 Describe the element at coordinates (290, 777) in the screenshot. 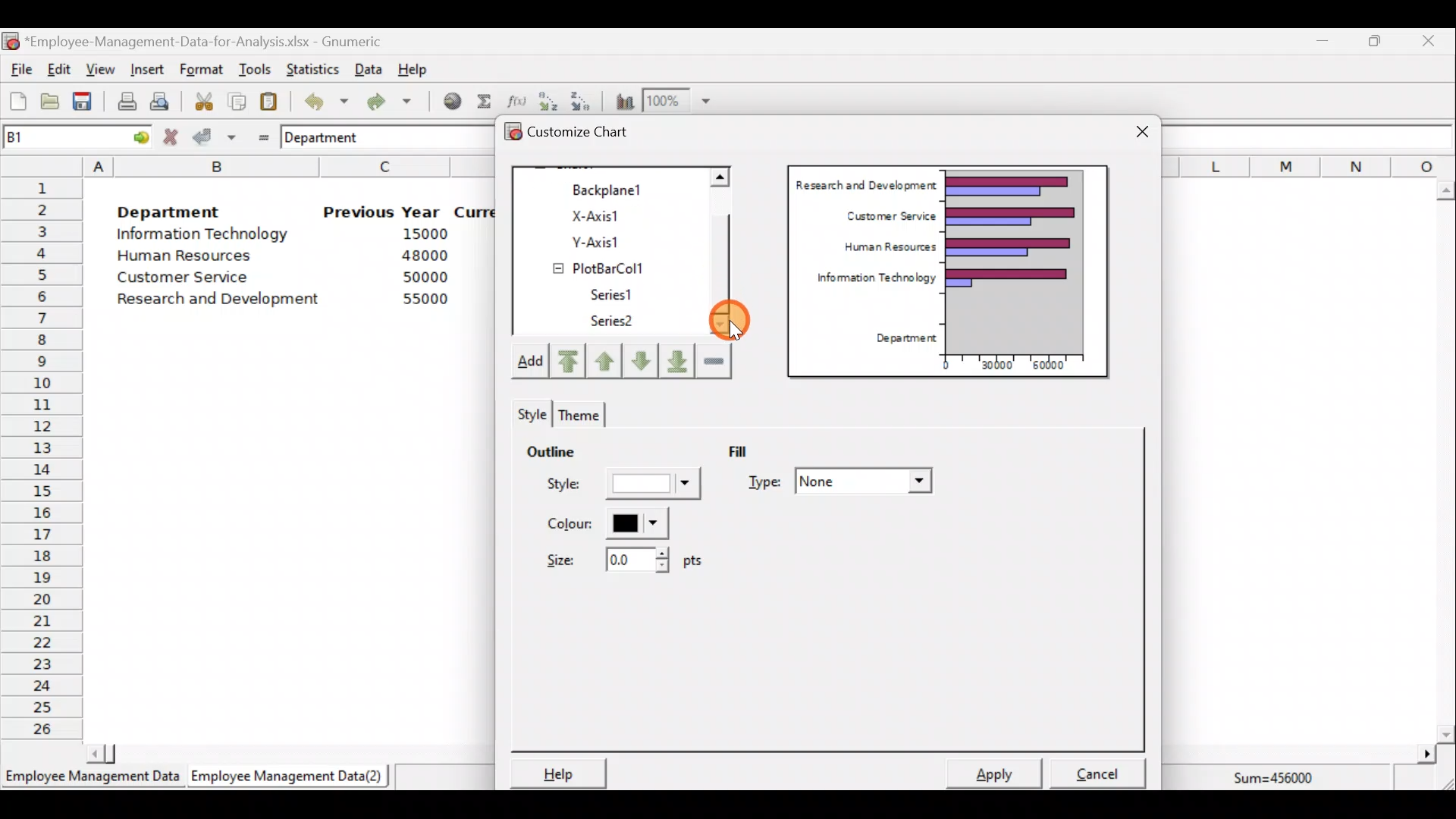

I see `Employee Management Data (2)` at that location.